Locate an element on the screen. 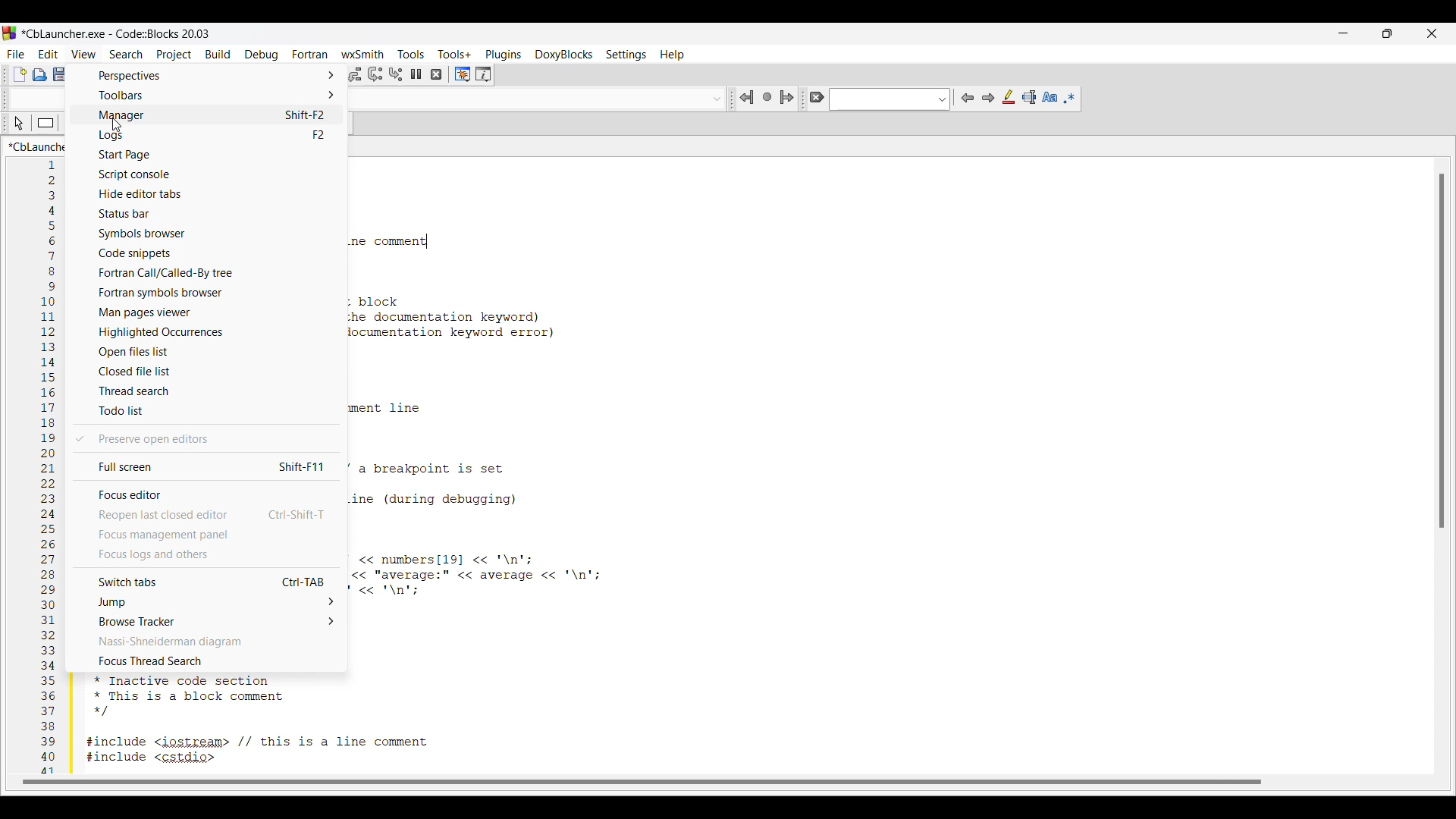  Symbols browser is located at coordinates (208, 234).